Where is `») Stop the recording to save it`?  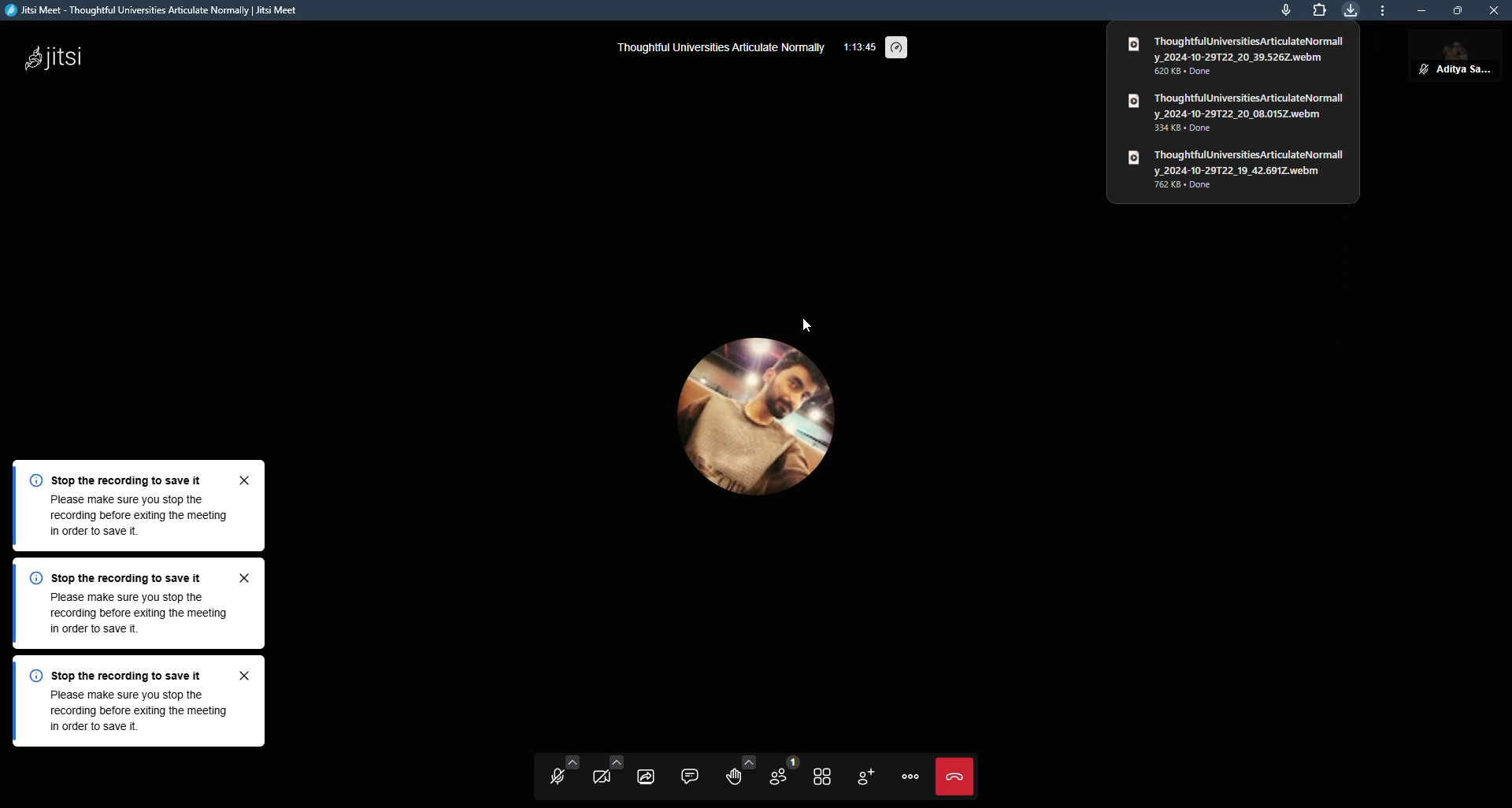 ») Stop the recording to save it is located at coordinates (129, 577).